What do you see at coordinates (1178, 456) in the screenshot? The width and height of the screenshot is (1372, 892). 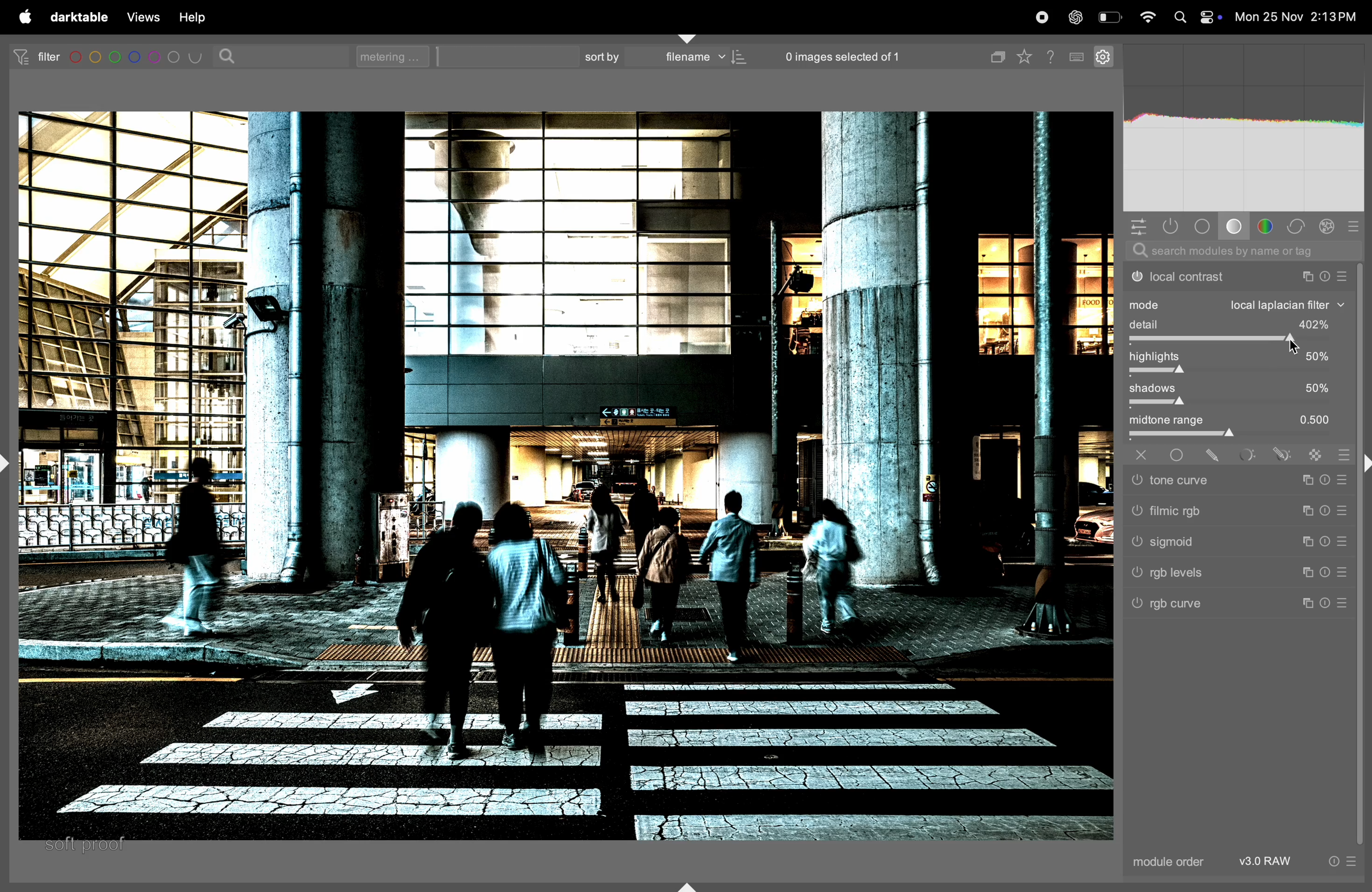 I see `uniformly` at bounding box center [1178, 456].